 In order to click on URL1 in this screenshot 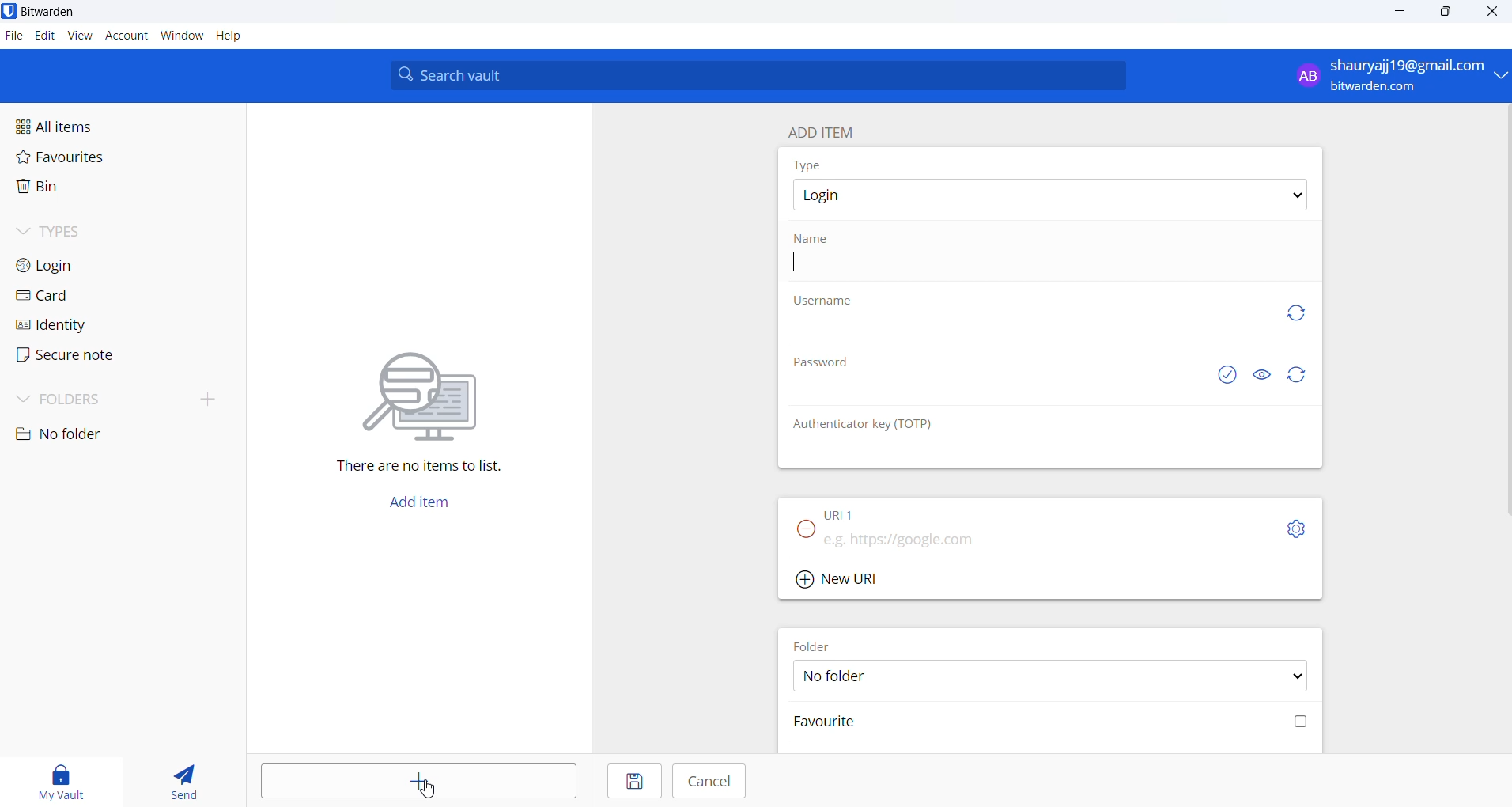, I will do `click(853, 511)`.